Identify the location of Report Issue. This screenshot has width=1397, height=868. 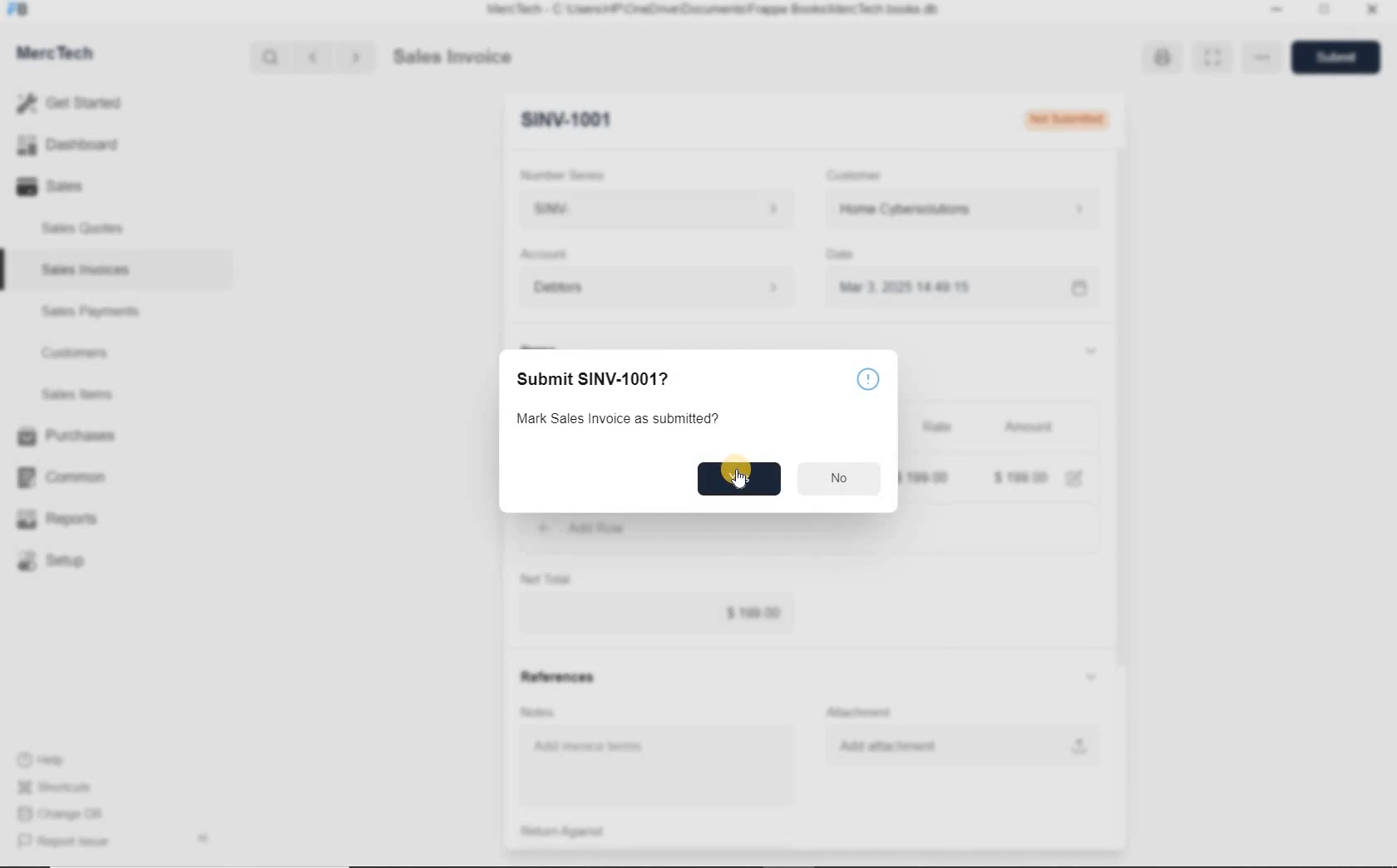
(67, 842).